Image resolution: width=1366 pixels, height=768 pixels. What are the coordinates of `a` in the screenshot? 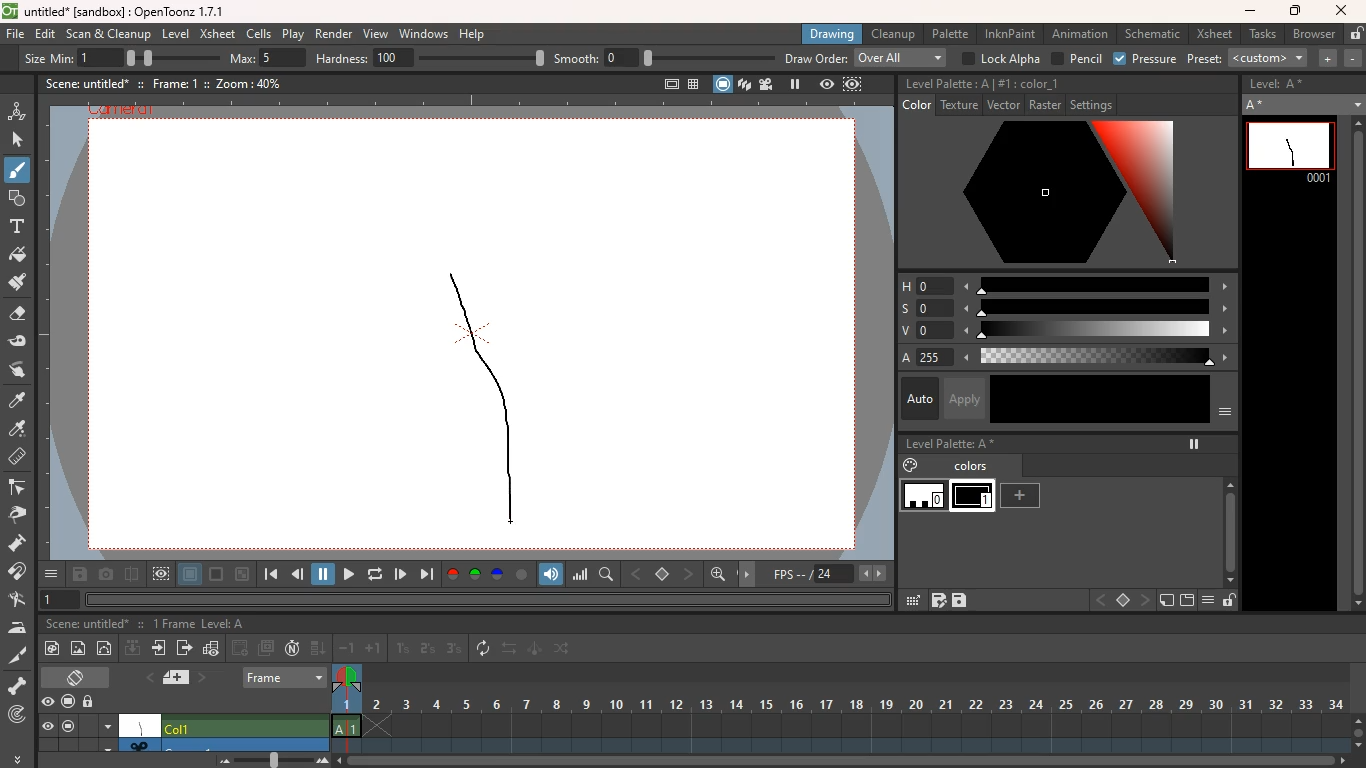 It's located at (908, 357).